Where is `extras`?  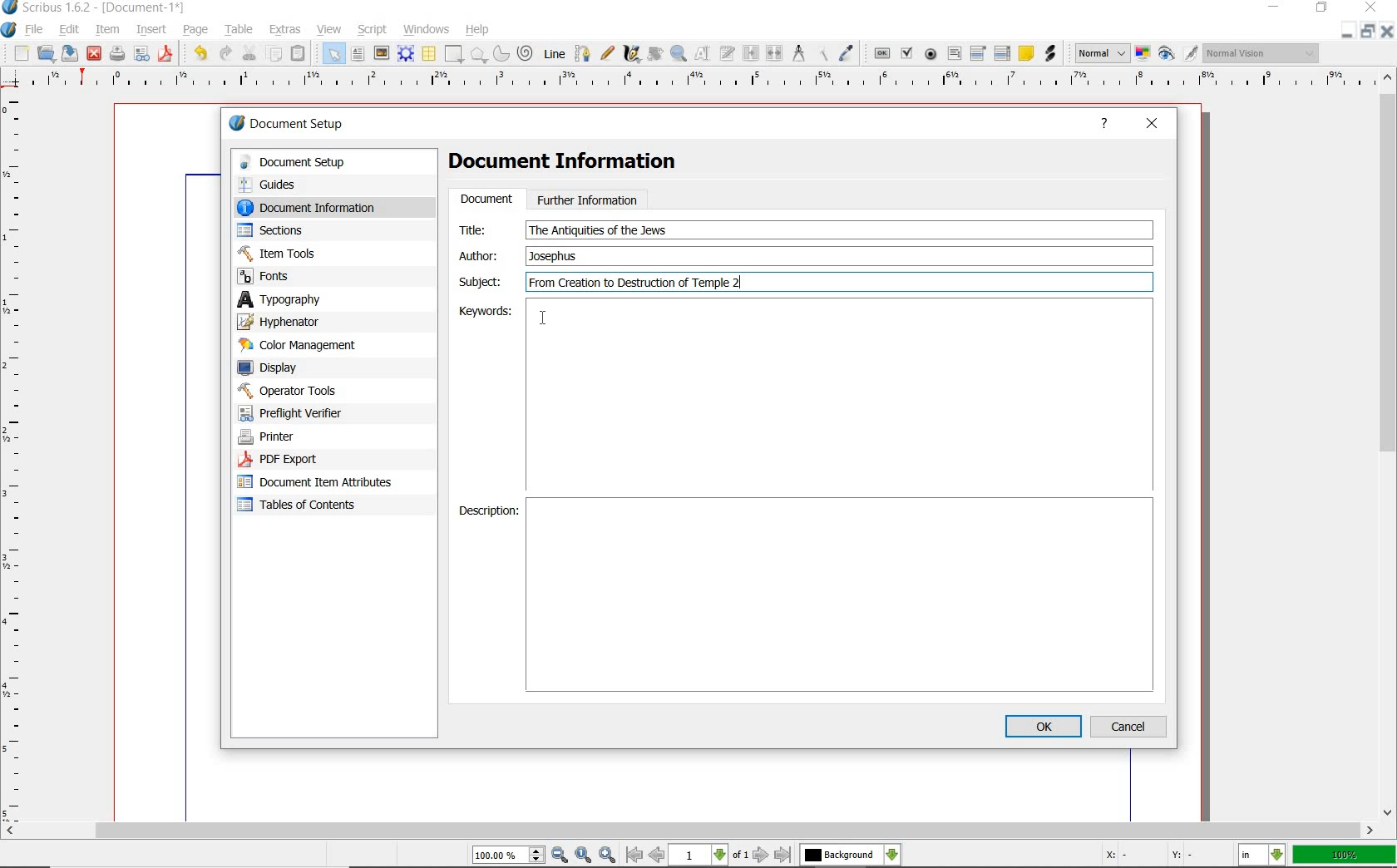 extras is located at coordinates (286, 30).